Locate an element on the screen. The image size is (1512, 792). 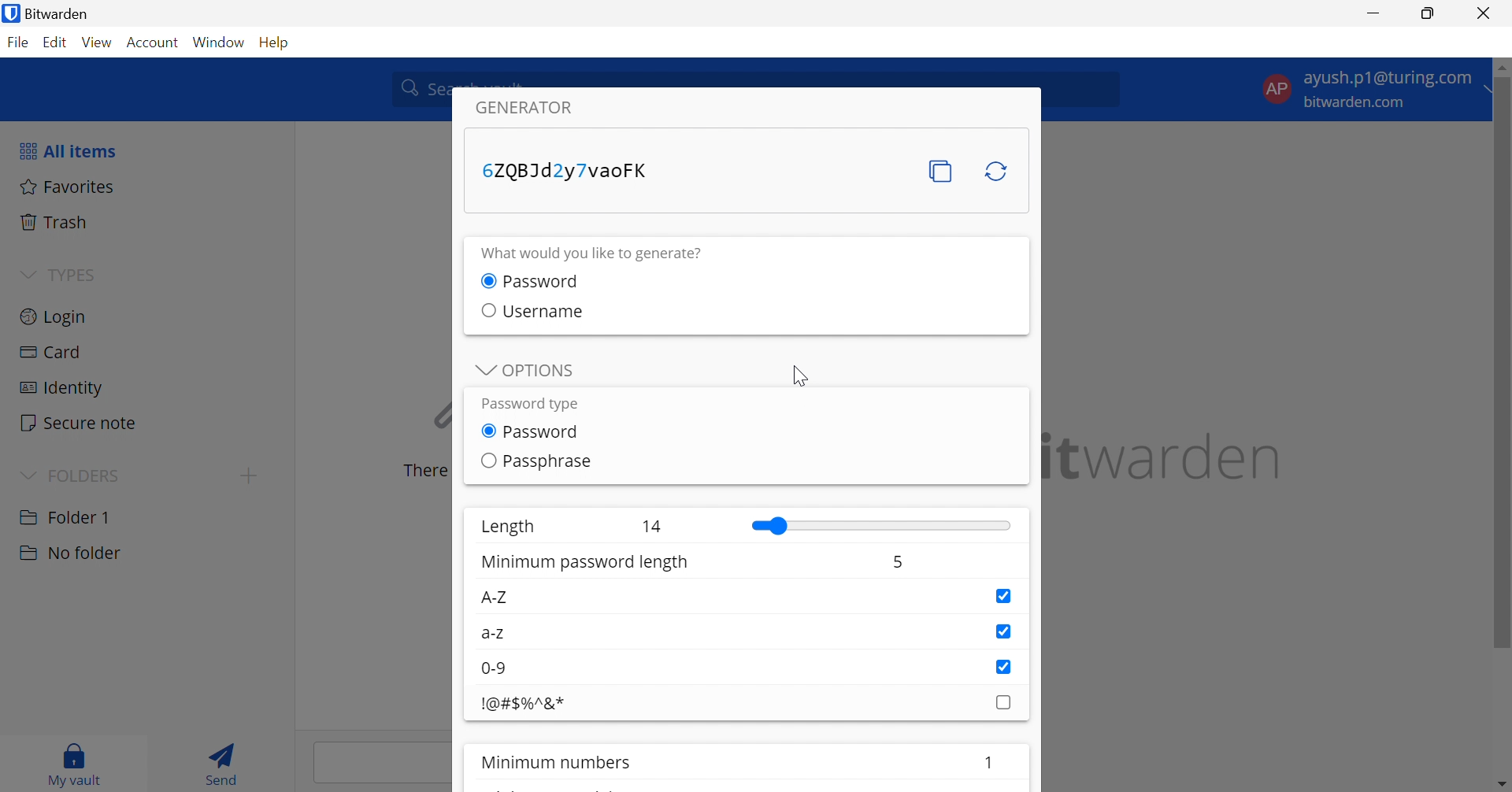
Identity is located at coordinates (62, 389).